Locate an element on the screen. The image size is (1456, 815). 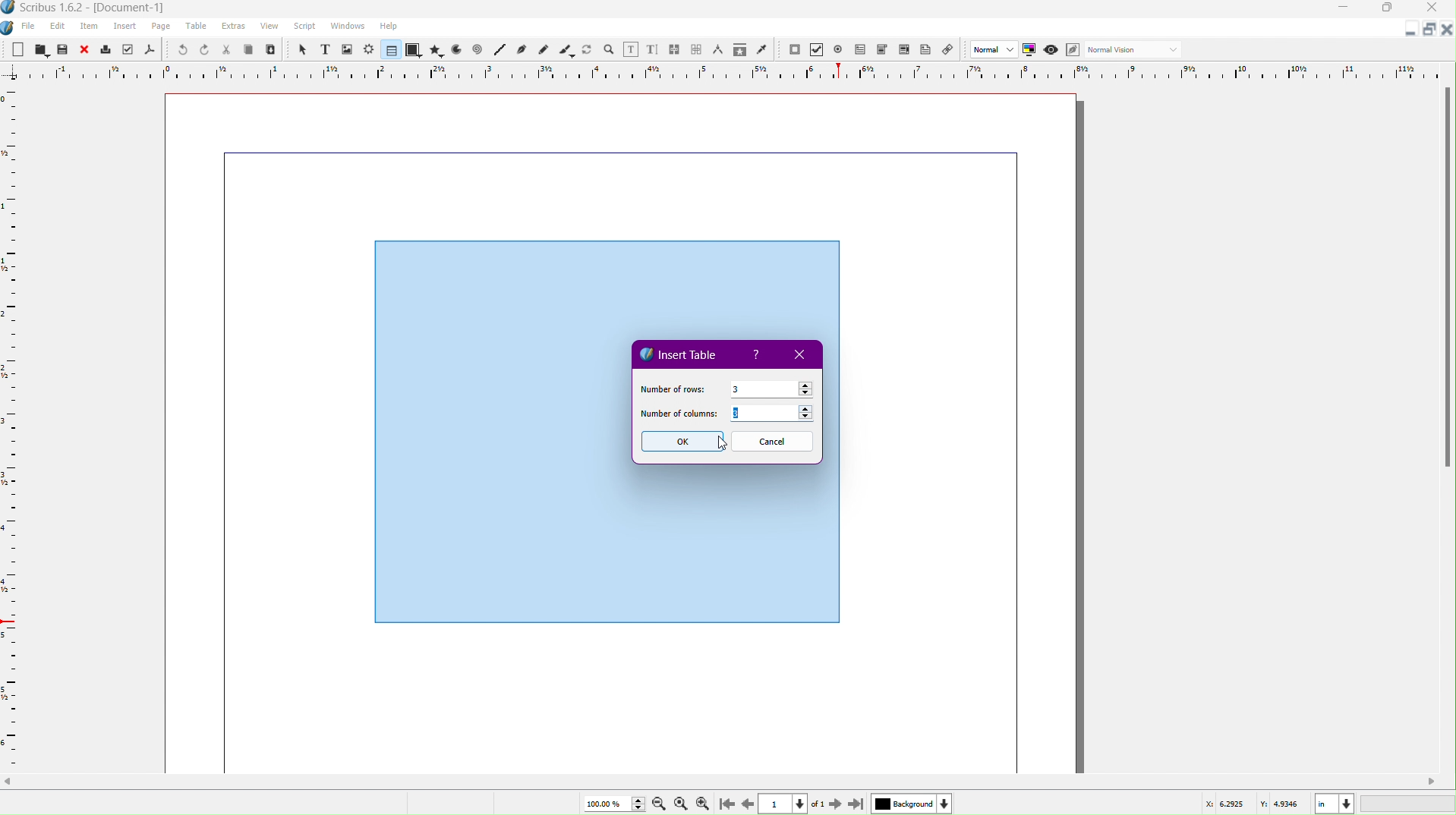
Ruler Line is located at coordinates (17, 428).